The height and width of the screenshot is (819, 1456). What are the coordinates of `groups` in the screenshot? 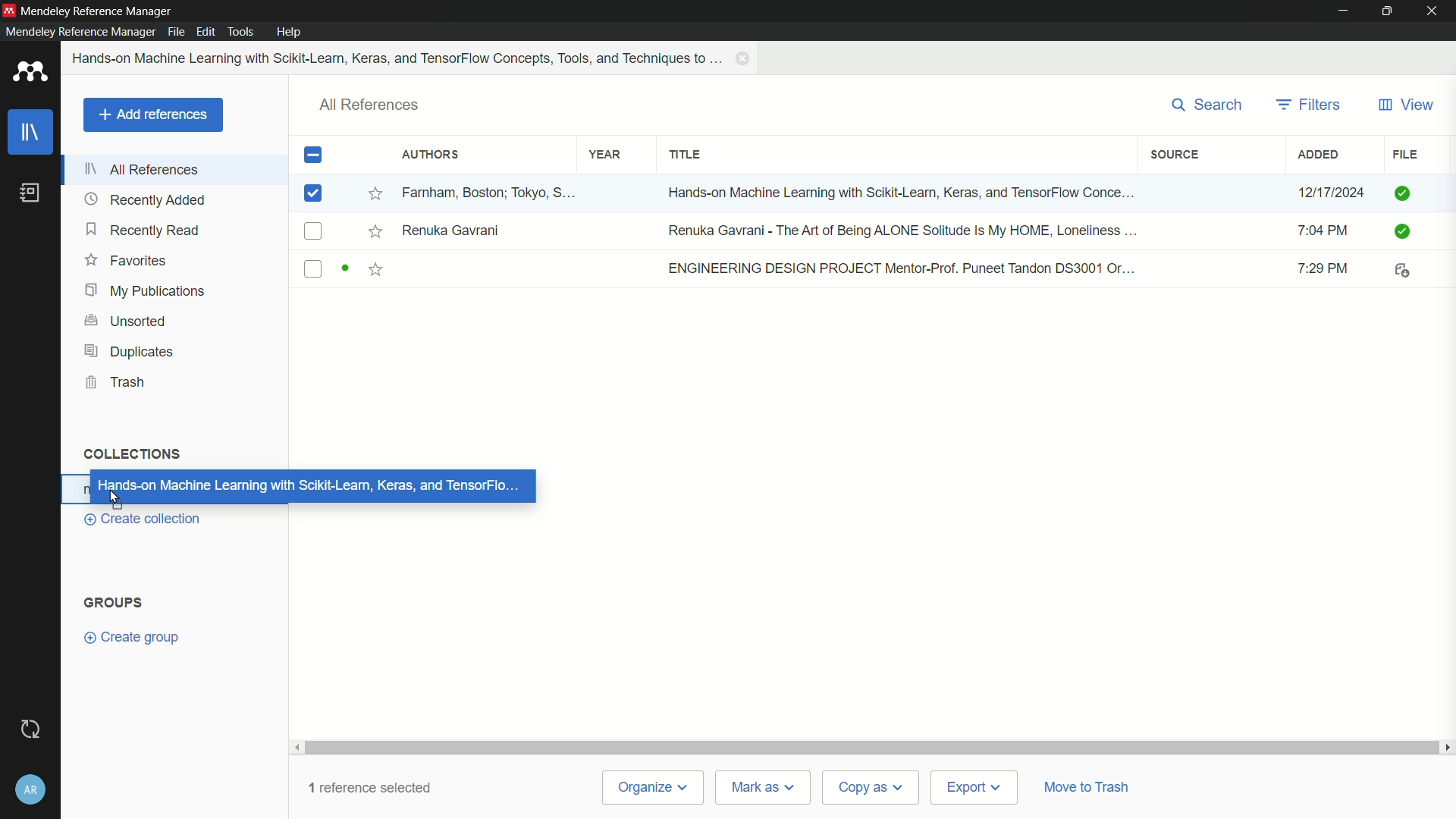 It's located at (113, 603).